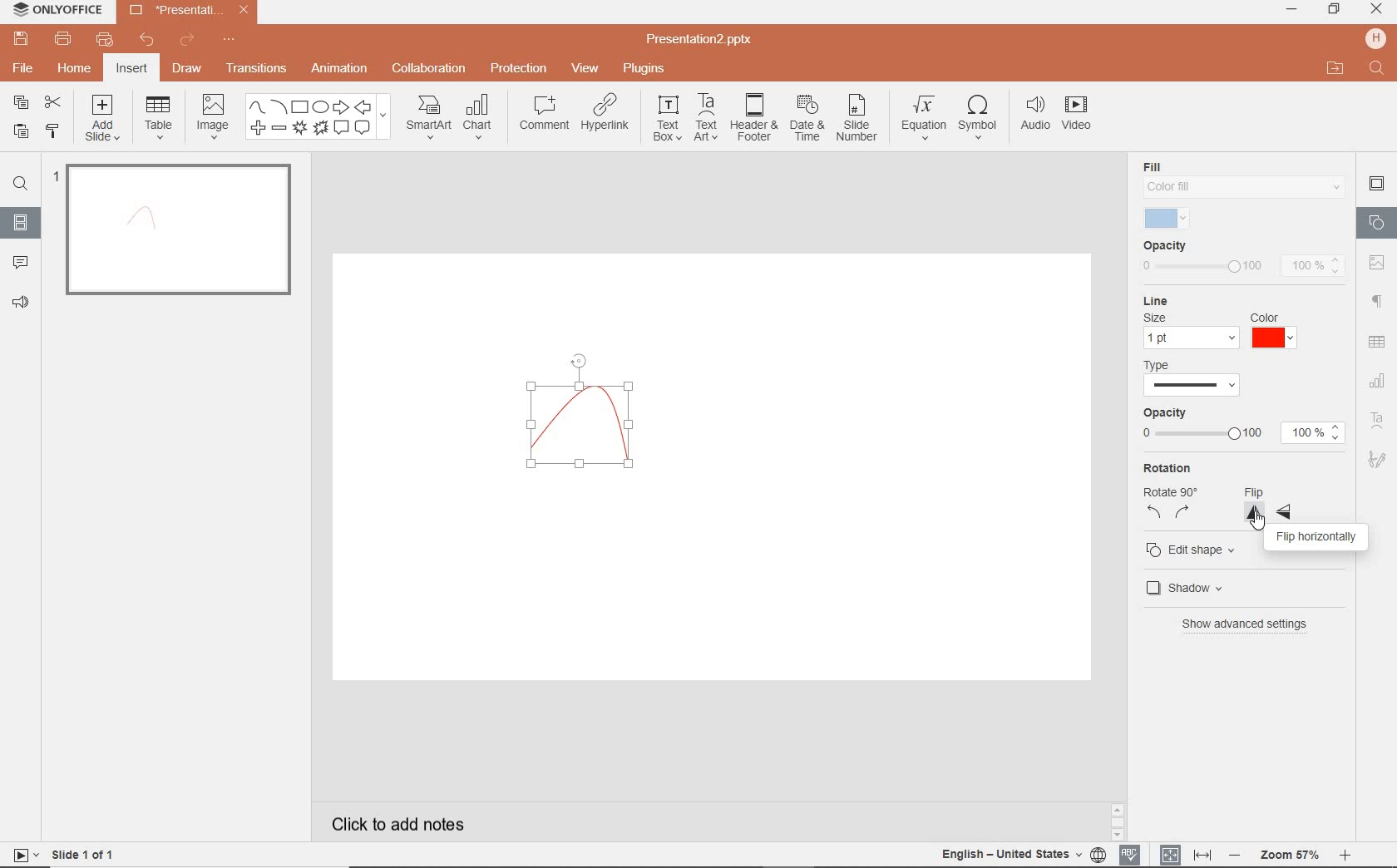 The height and width of the screenshot is (868, 1397). I want to click on curve drawn, so click(587, 411).